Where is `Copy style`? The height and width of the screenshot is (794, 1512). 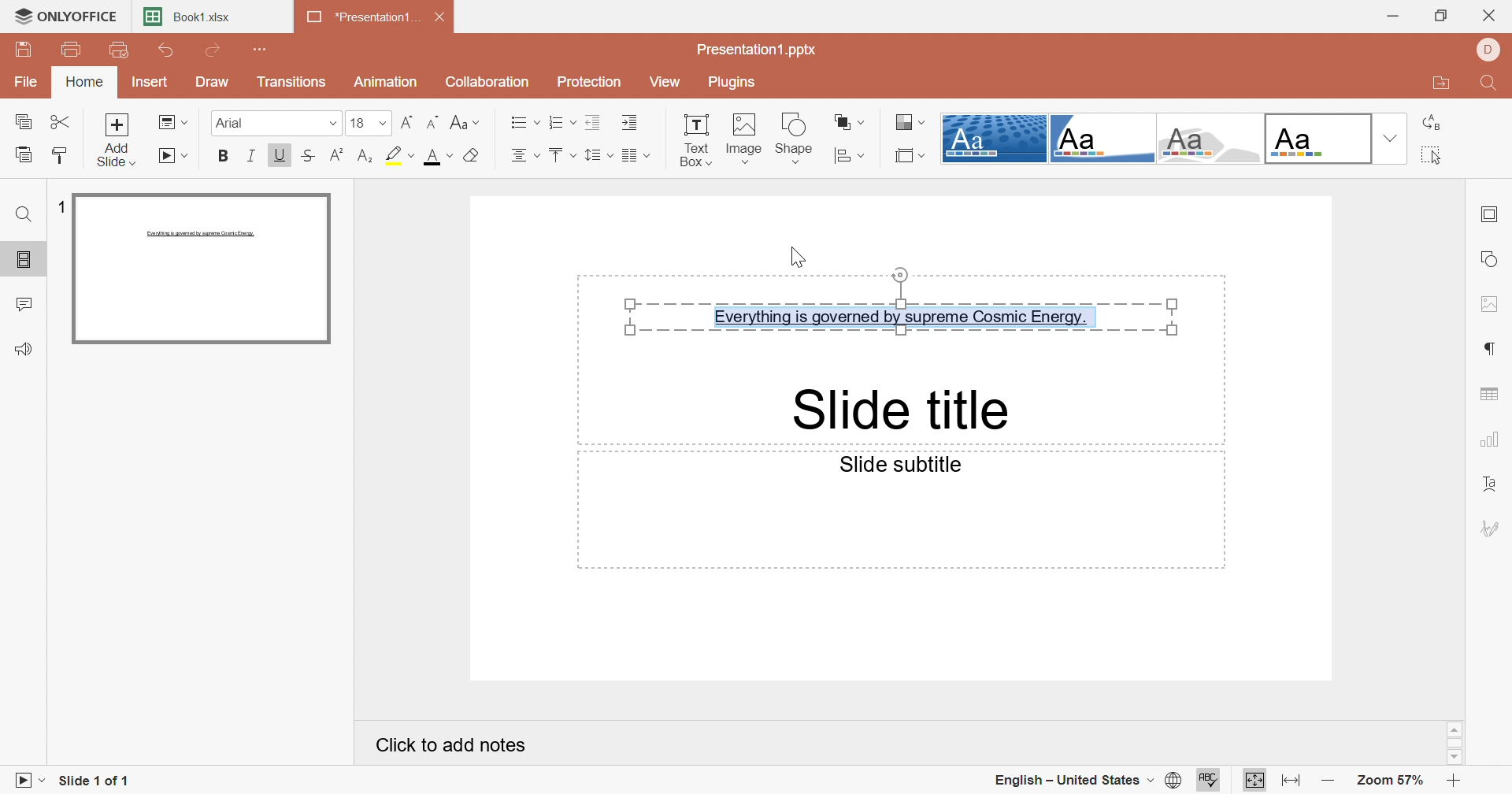 Copy style is located at coordinates (61, 155).